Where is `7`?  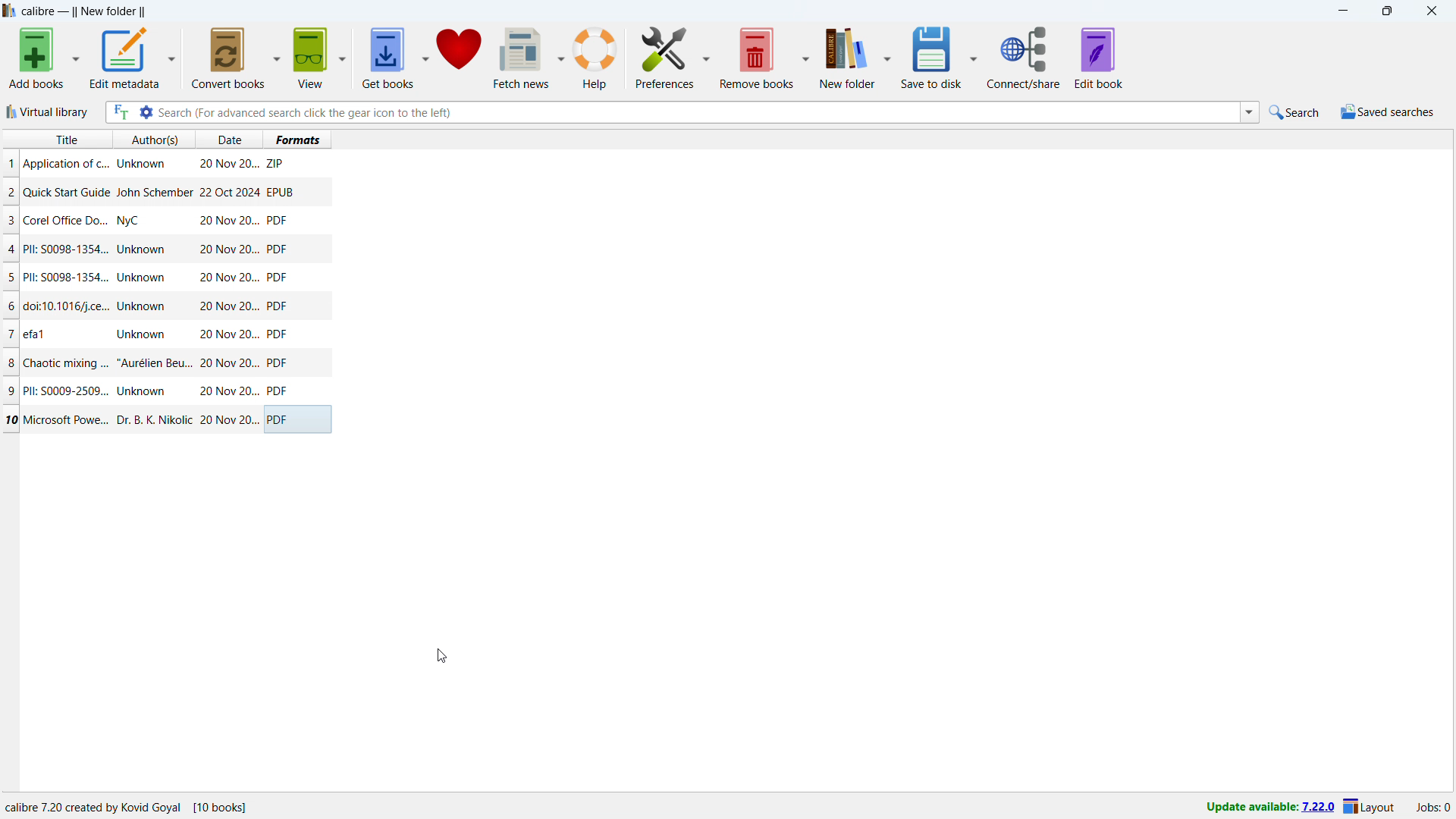 7 is located at coordinates (11, 334).